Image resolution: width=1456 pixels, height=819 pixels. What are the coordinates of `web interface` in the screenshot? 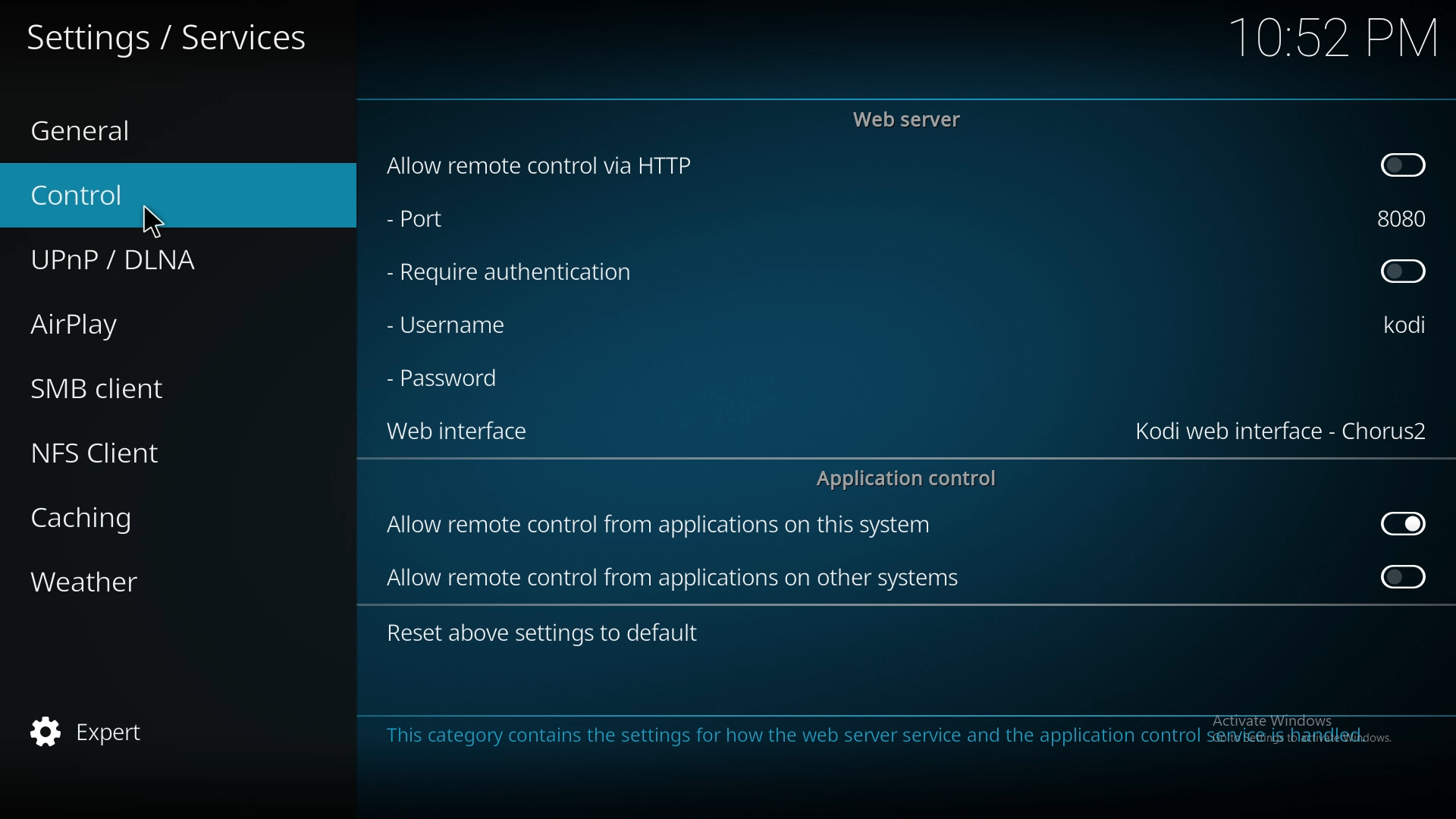 It's located at (1284, 431).